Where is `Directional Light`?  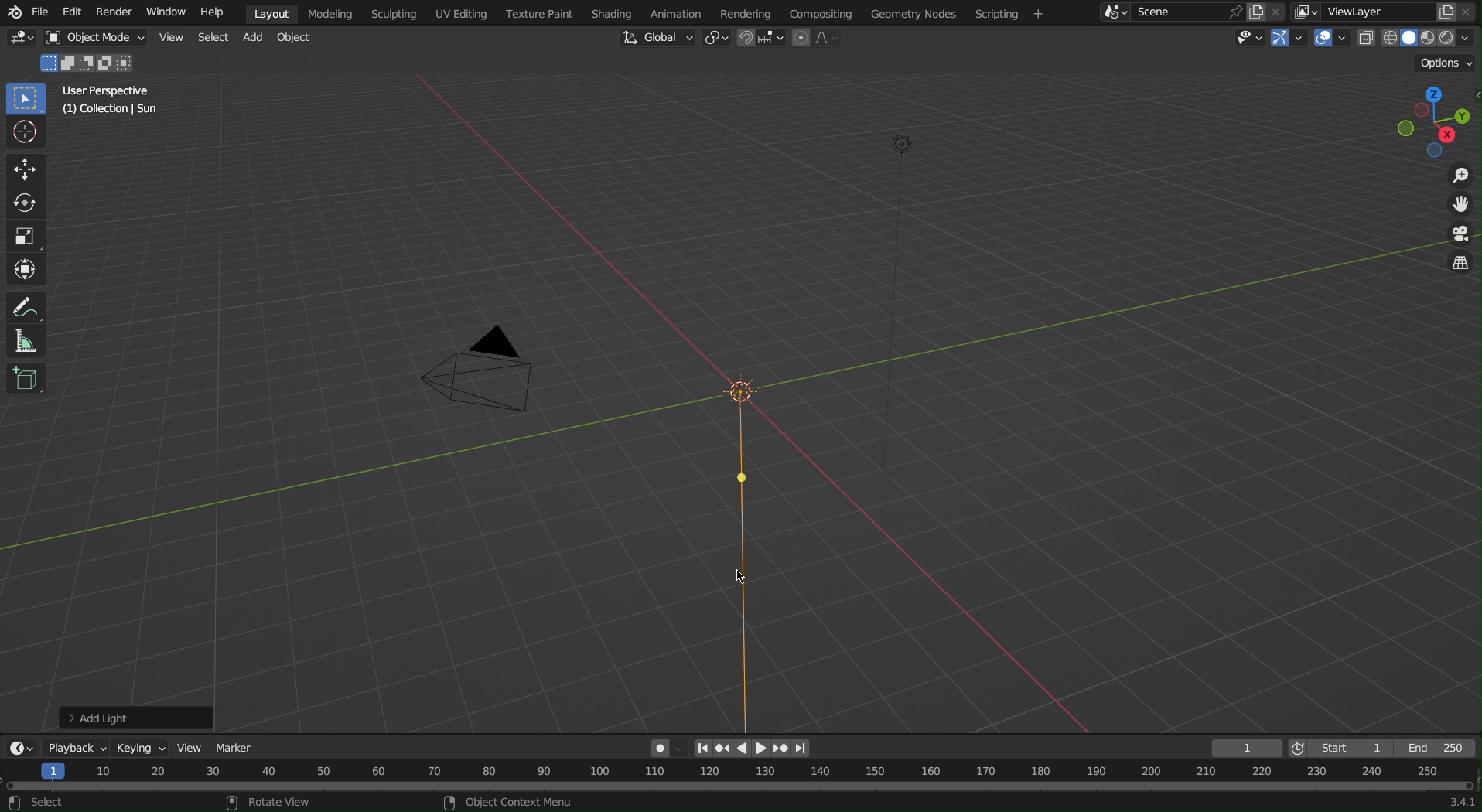 Directional Light is located at coordinates (735, 546).